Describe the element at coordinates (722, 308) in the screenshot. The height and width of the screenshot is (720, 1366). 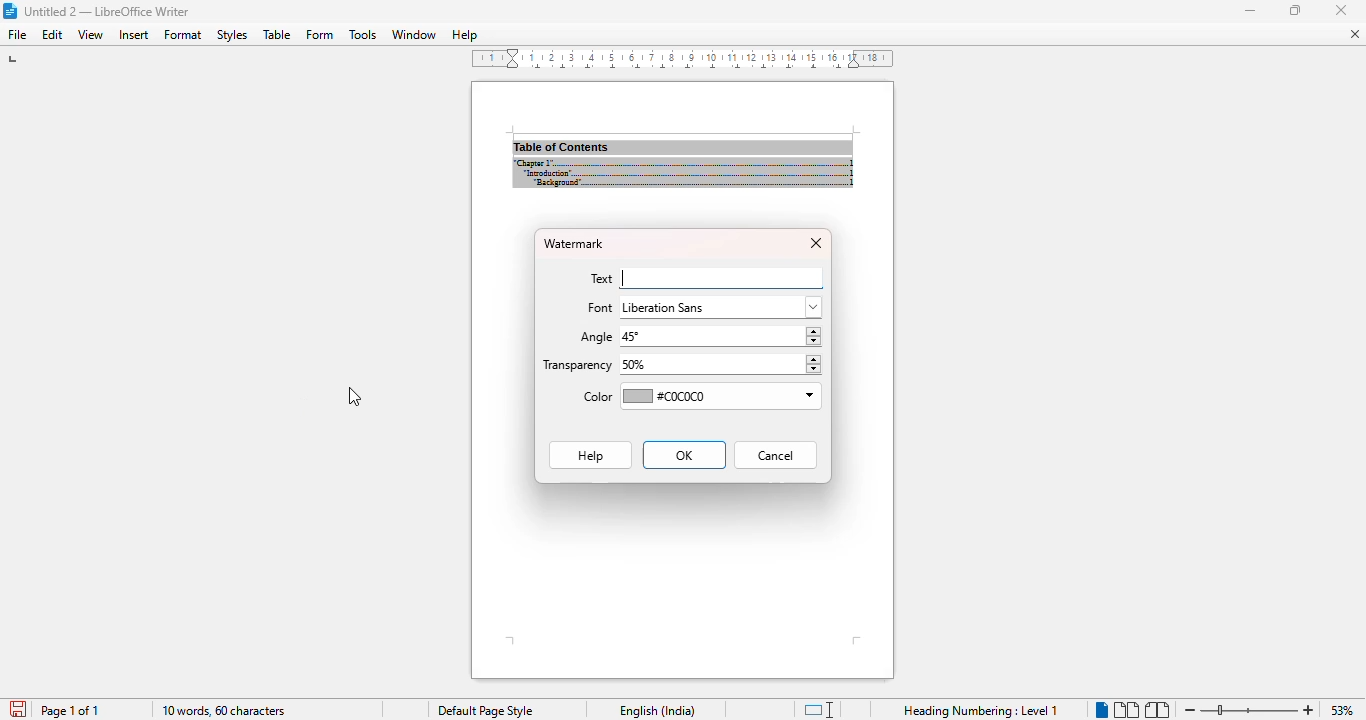
I see `liberation sans` at that location.